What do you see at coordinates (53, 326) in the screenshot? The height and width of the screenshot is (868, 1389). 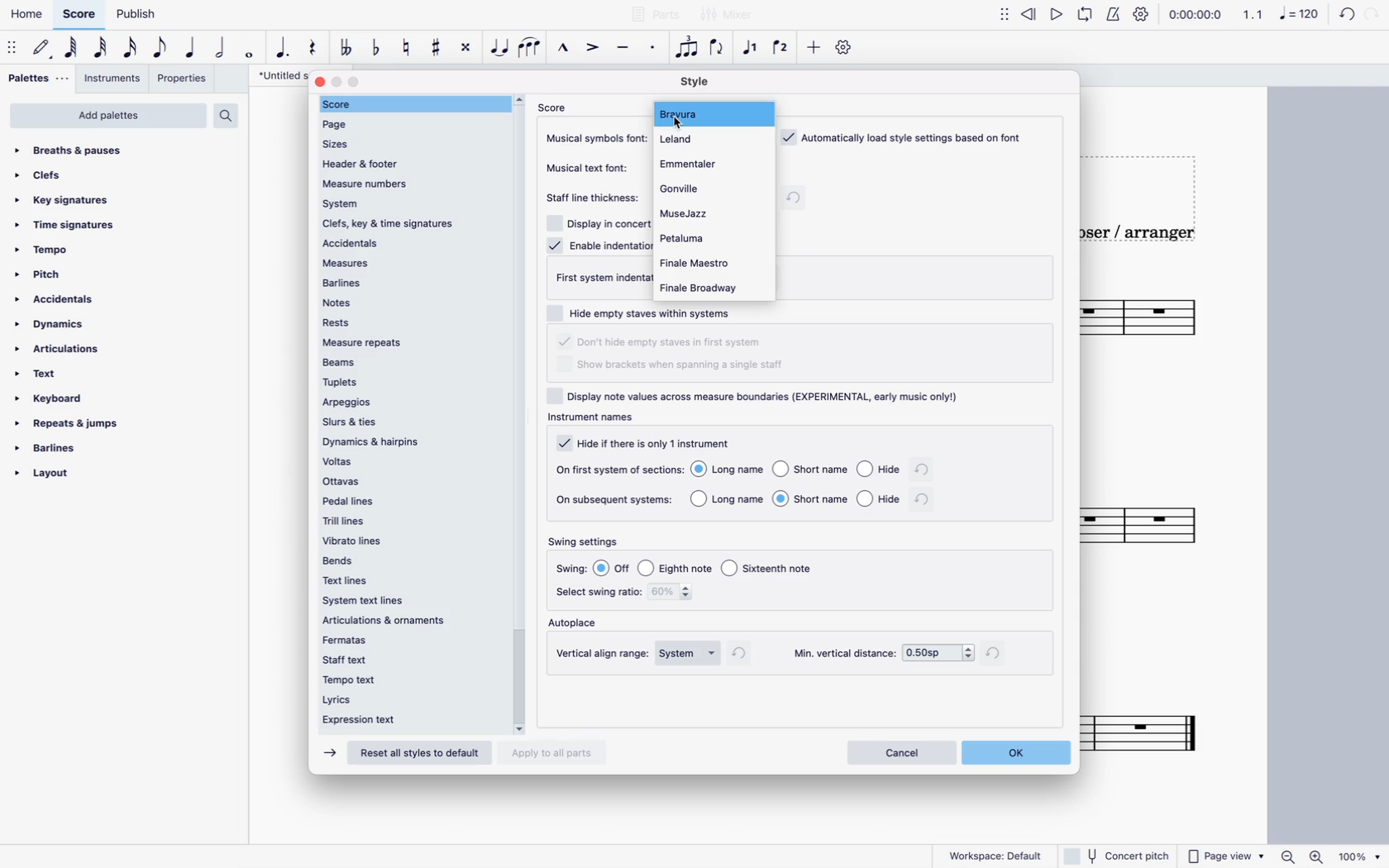 I see `dynamics` at bounding box center [53, 326].